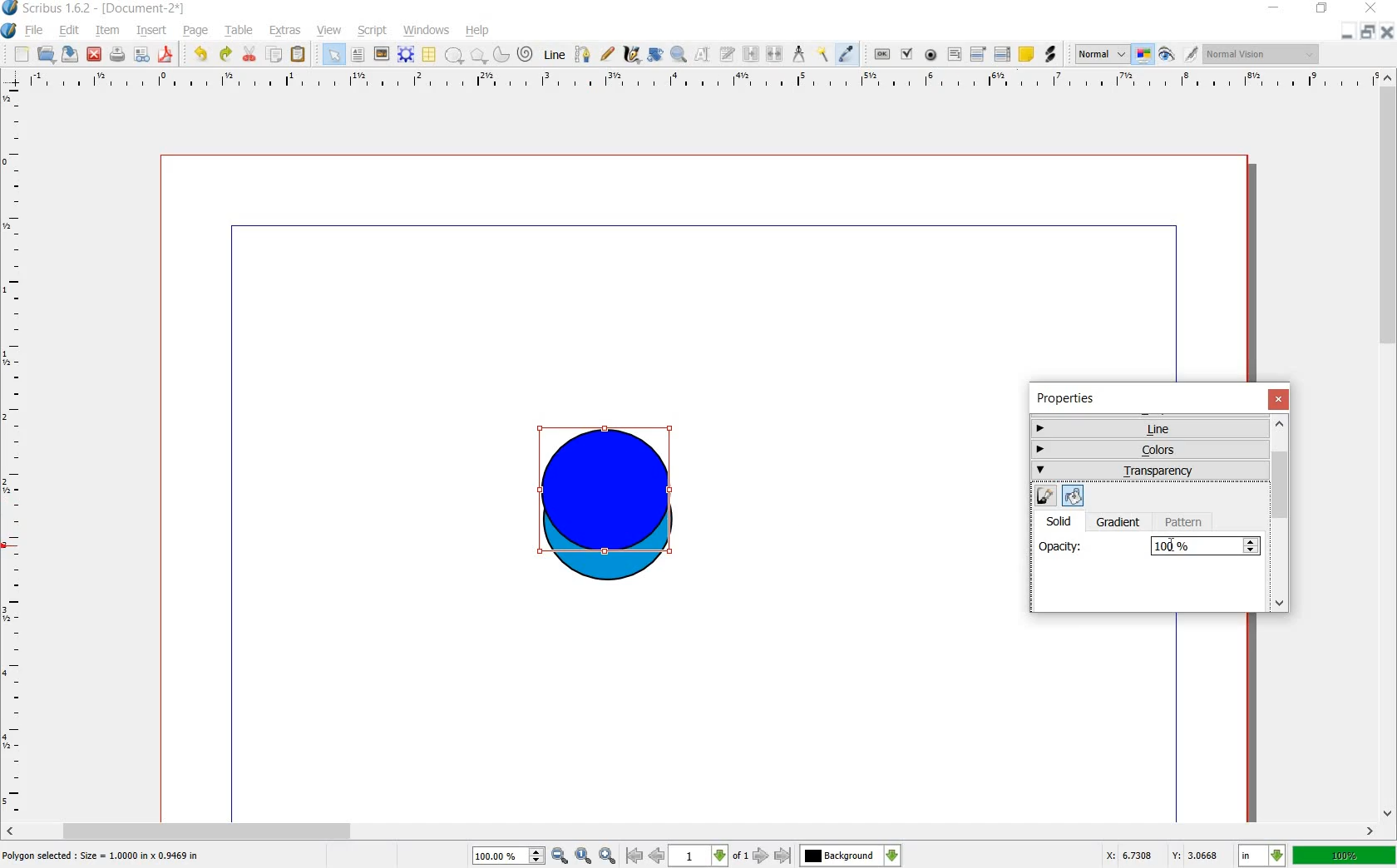 This screenshot has height=868, width=1397. I want to click on pdf check box, so click(906, 55).